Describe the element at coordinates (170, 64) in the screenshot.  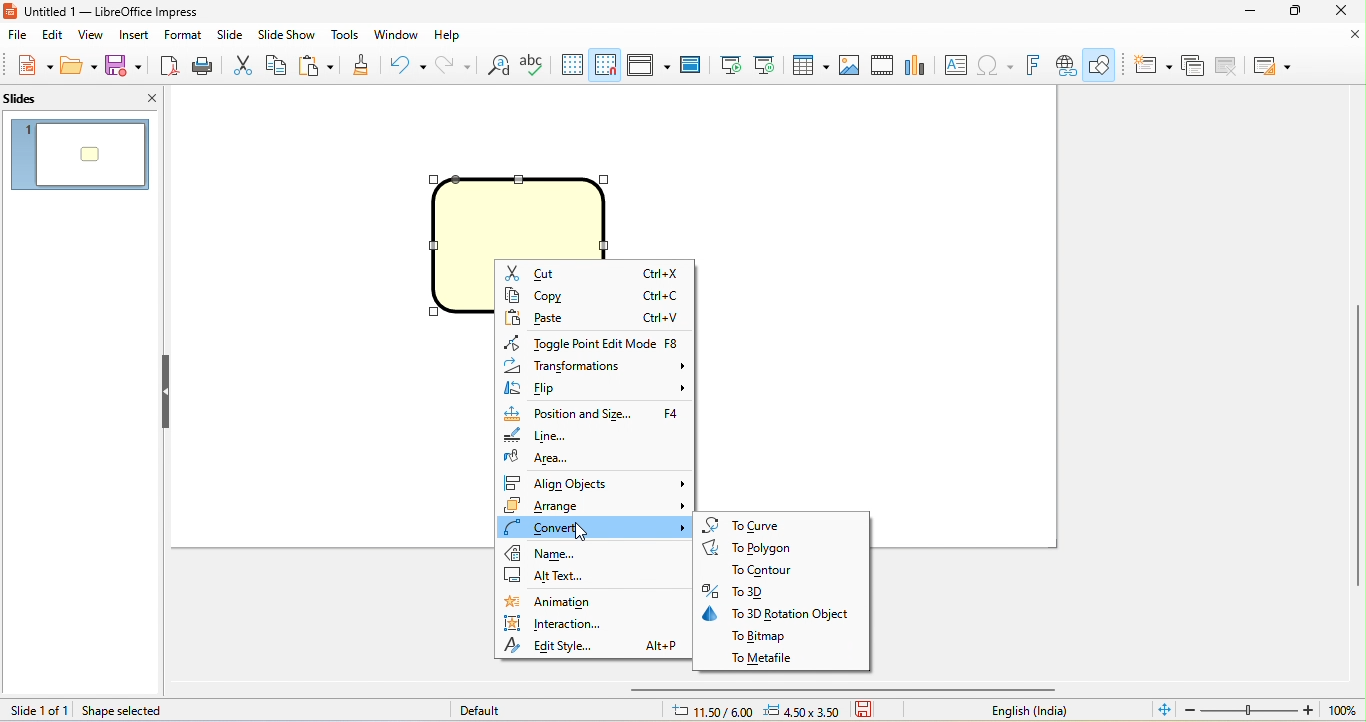
I see `export directly as pdf` at that location.